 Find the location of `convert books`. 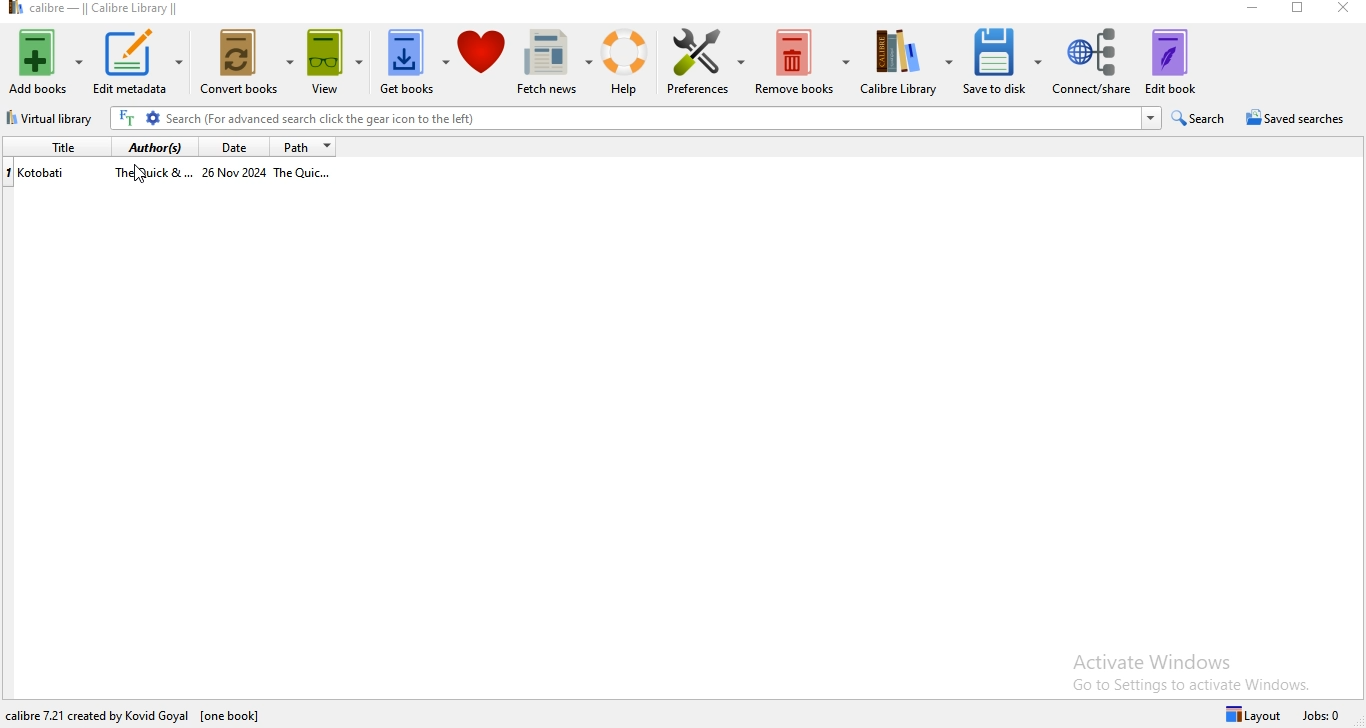

convert books is located at coordinates (247, 65).